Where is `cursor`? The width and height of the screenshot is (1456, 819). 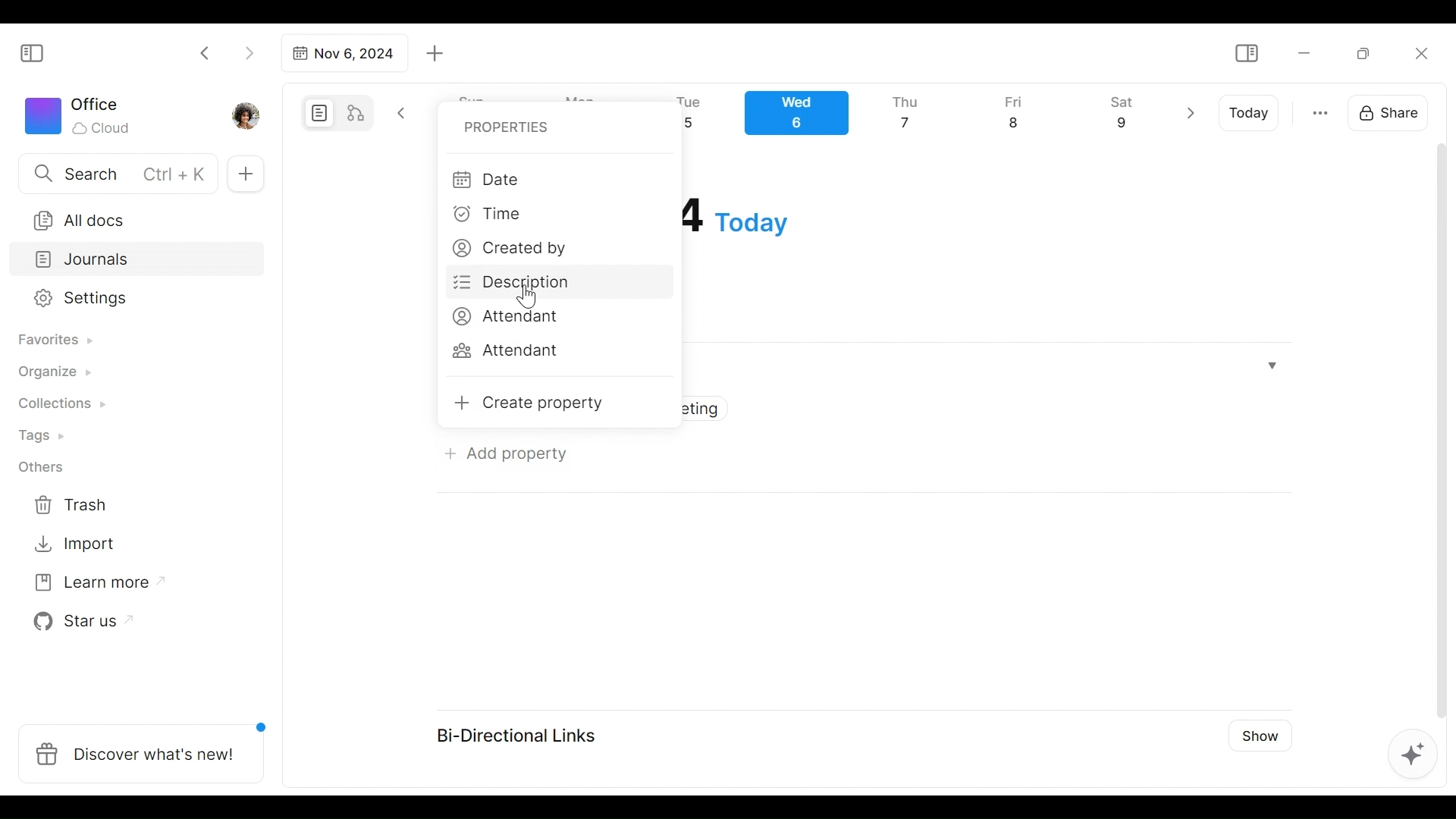 cursor is located at coordinates (529, 298).